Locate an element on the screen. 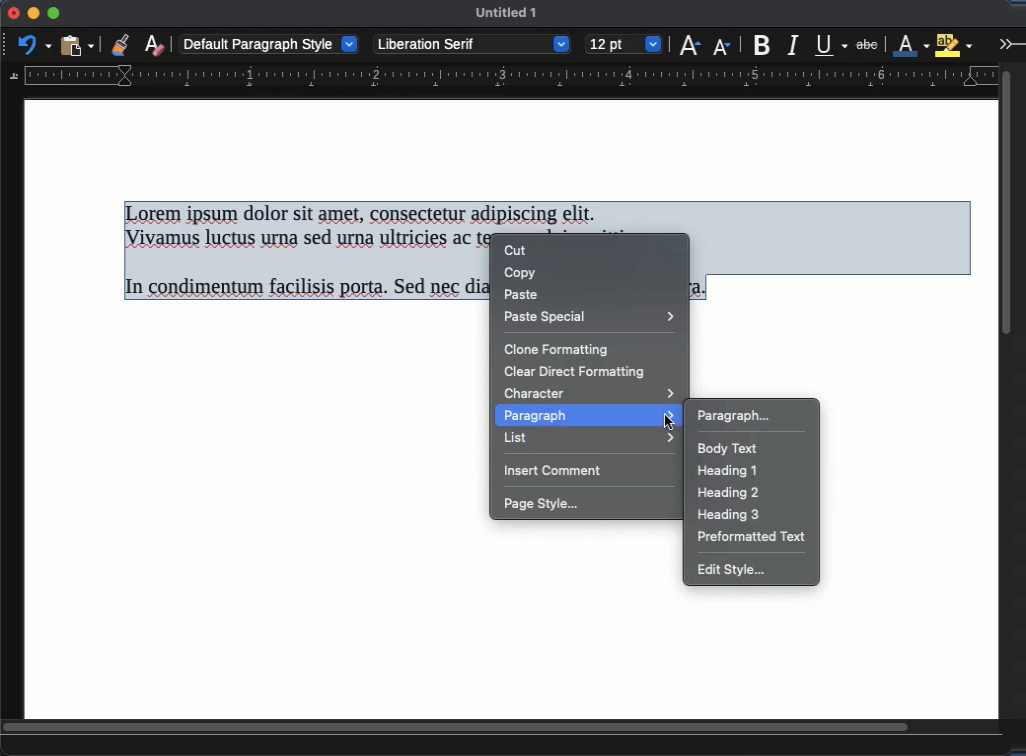  body text is located at coordinates (730, 449).